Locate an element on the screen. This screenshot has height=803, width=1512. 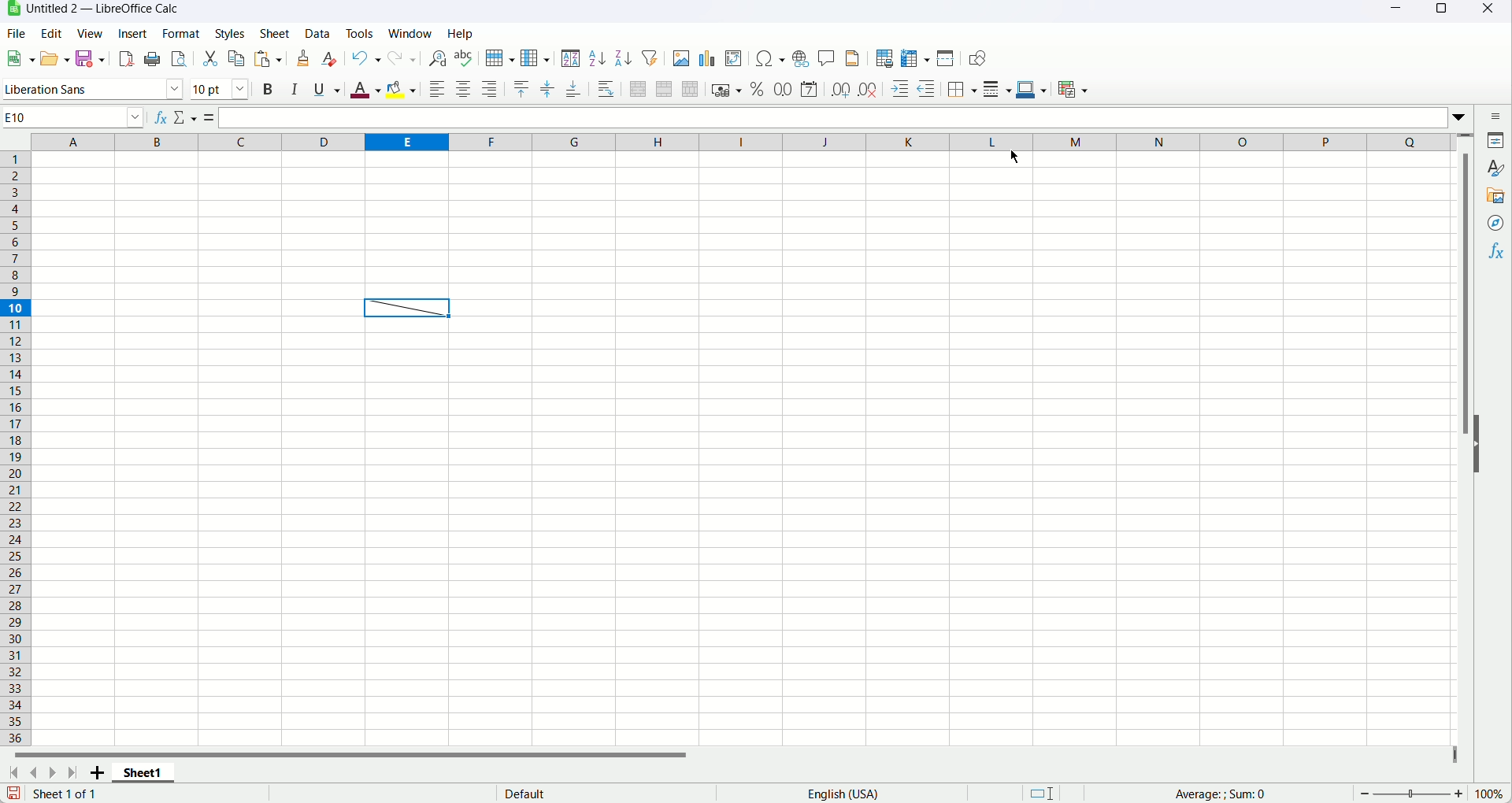
Background color is located at coordinates (401, 91).